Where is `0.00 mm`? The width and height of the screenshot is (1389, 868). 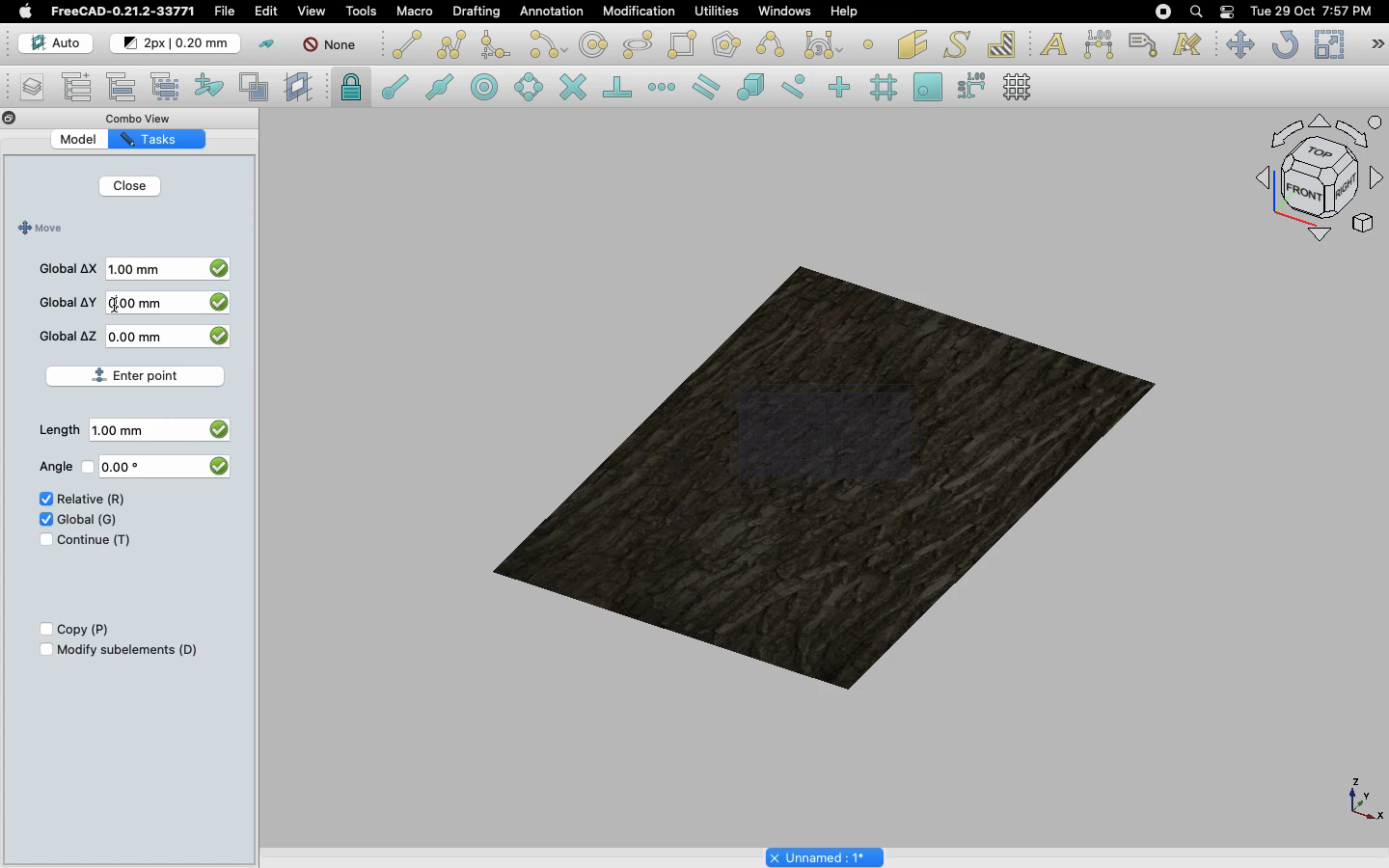
0.00 mm is located at coordinates (129, 430).